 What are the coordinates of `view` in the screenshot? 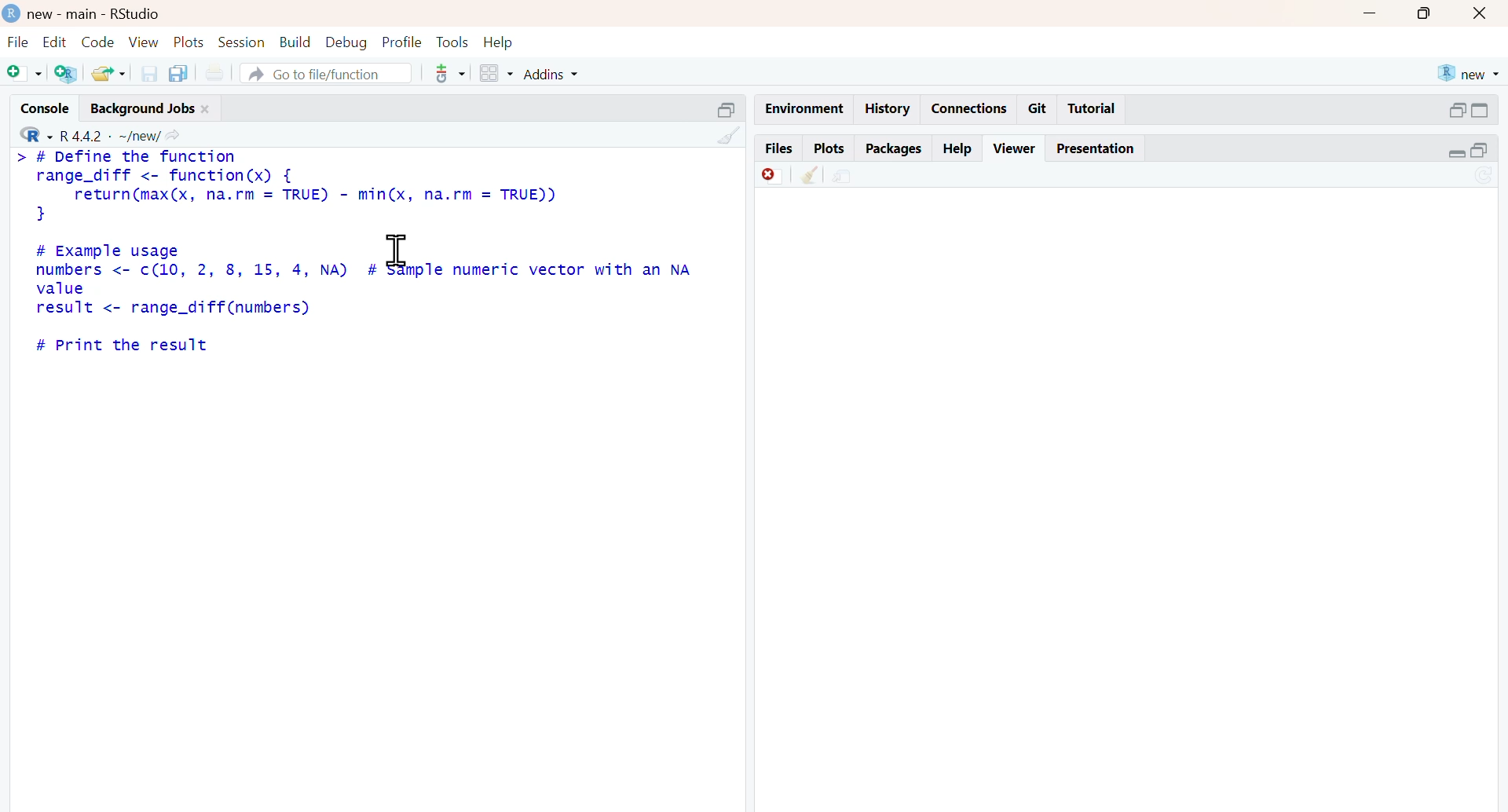 It's located at (144, 42).